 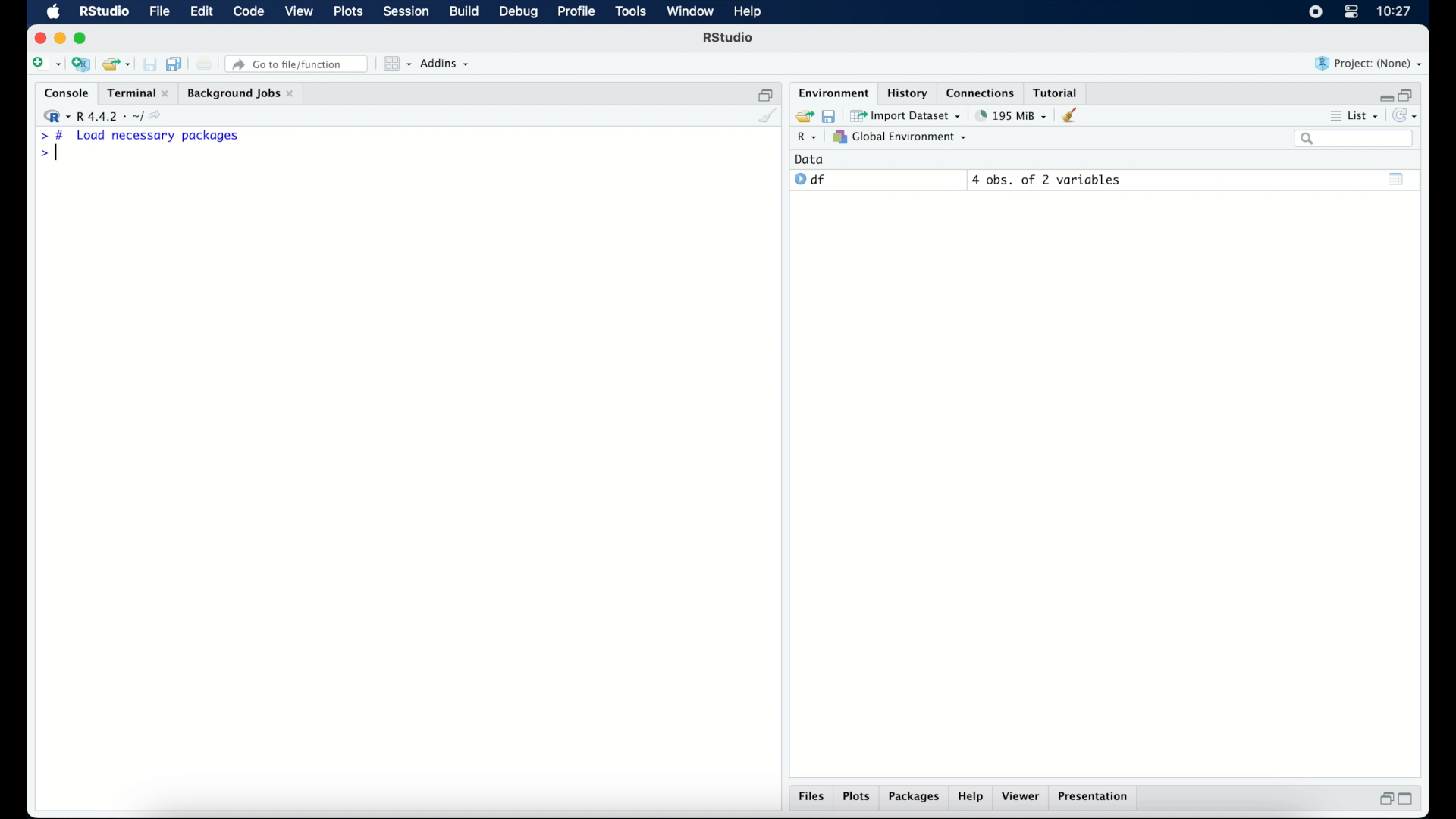 What do you see at coordinates (1394, 11) in the screenshot?
I see `10.27` at bounding box center [1394, 11].